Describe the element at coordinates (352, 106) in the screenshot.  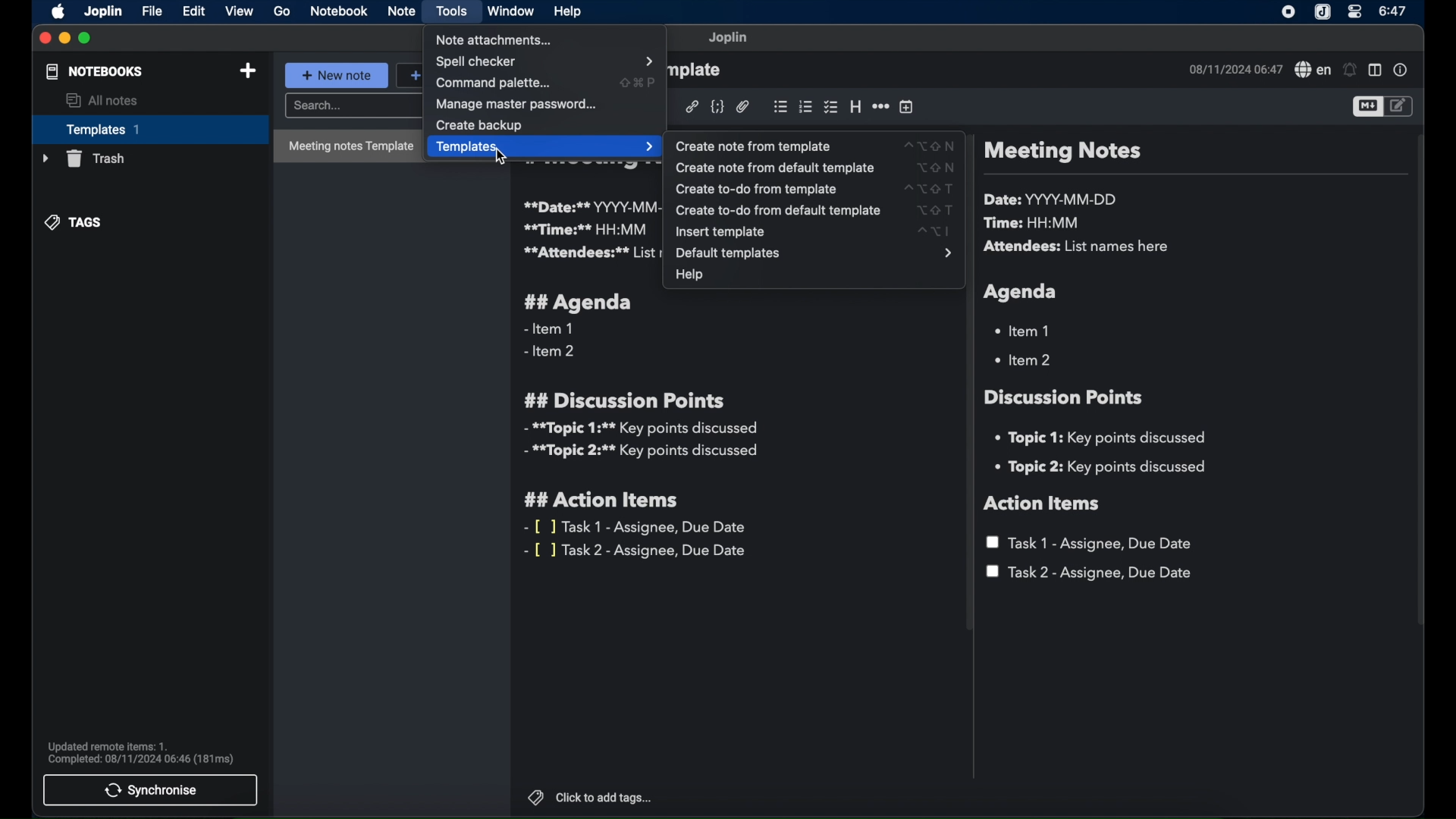
I see `search` at that location.